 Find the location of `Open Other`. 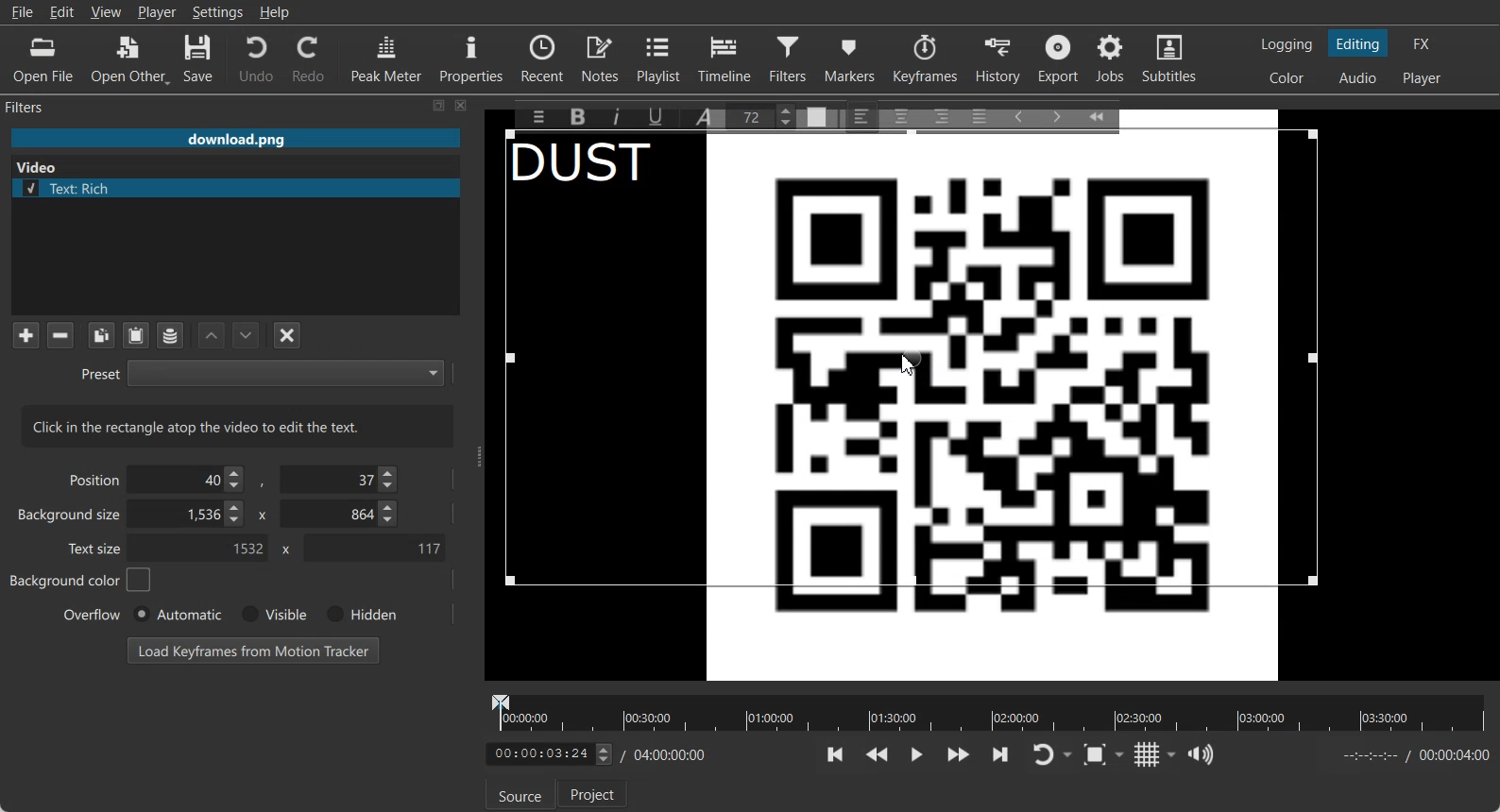

Open Other is located at coordinates (130, 59).